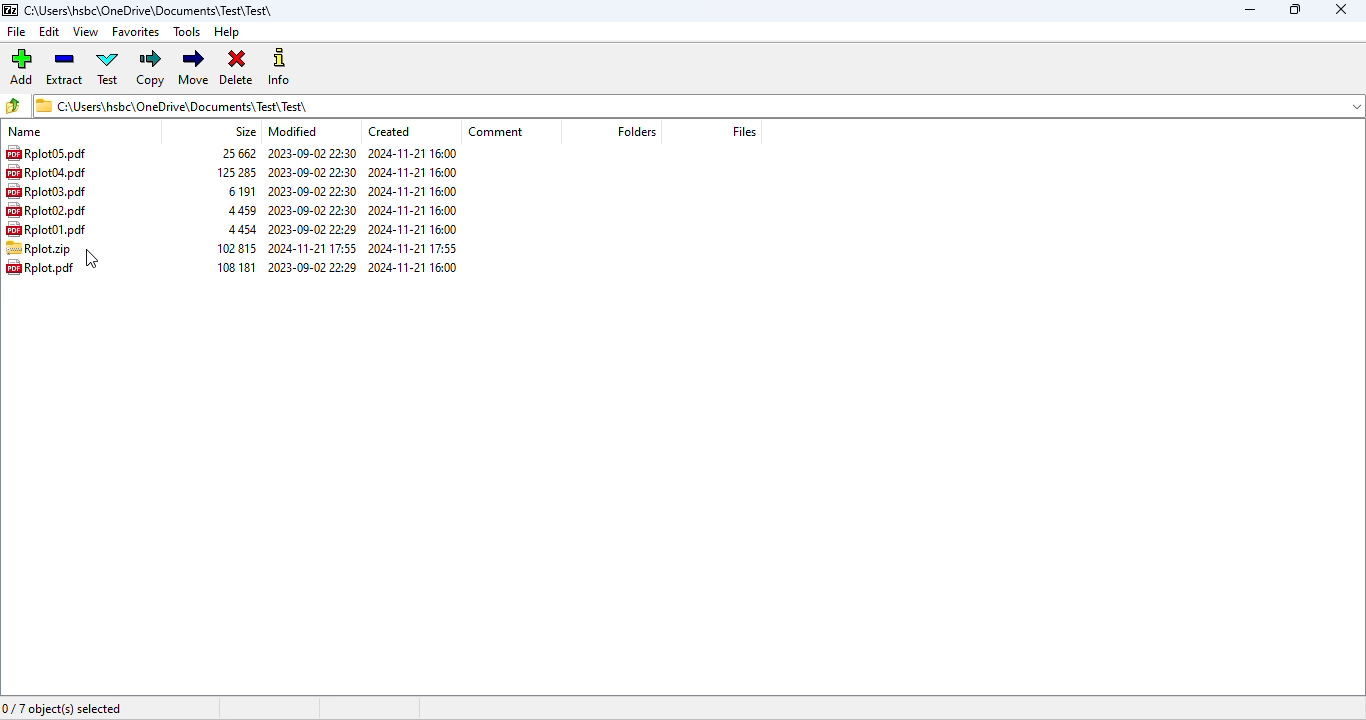  I want to click on minimize, so click(1251, 9).